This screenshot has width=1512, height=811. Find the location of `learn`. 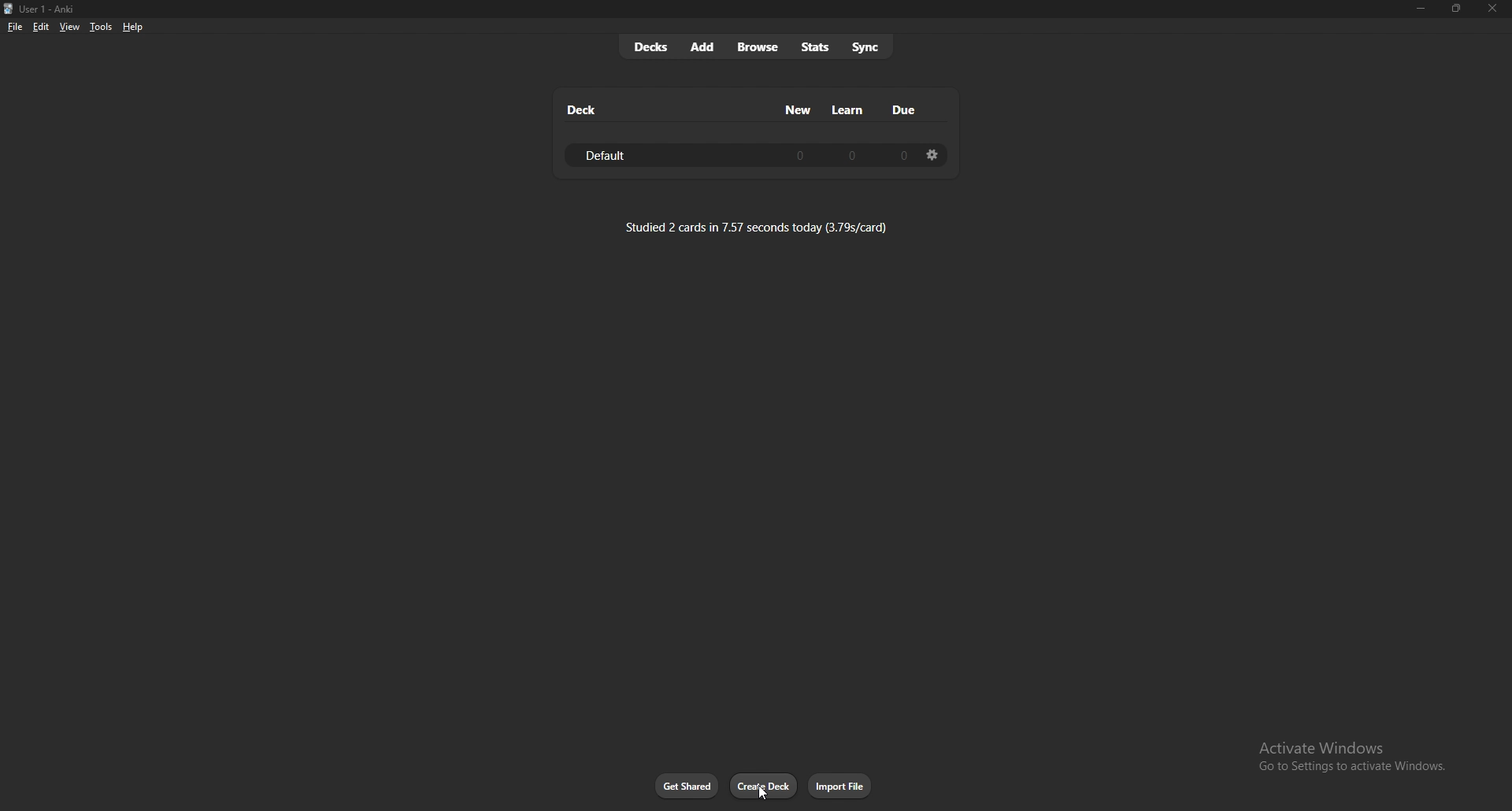

learn is located at coordinates (848, 110).